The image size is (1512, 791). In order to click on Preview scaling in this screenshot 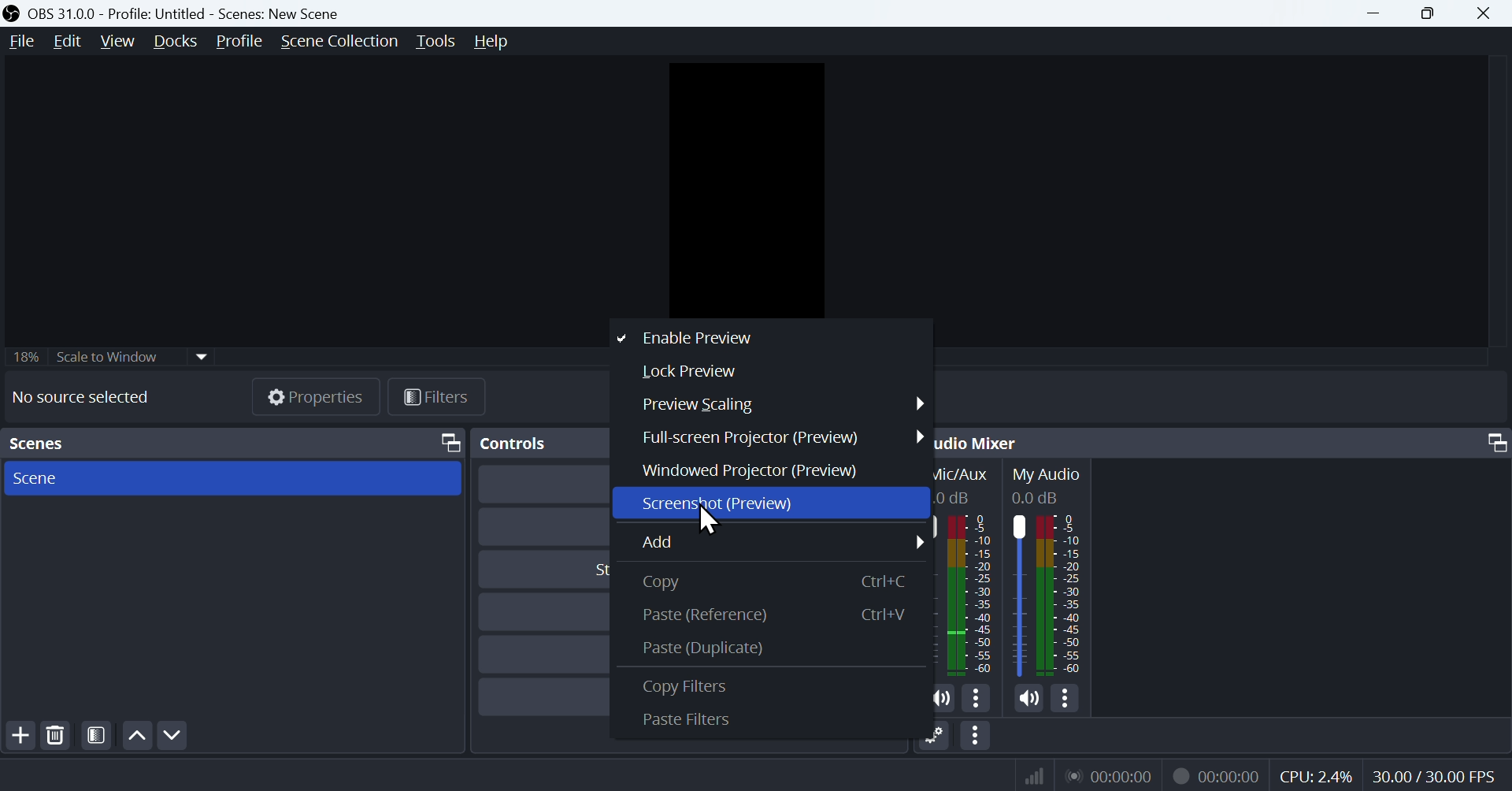, I will do `click(768, 407)`.